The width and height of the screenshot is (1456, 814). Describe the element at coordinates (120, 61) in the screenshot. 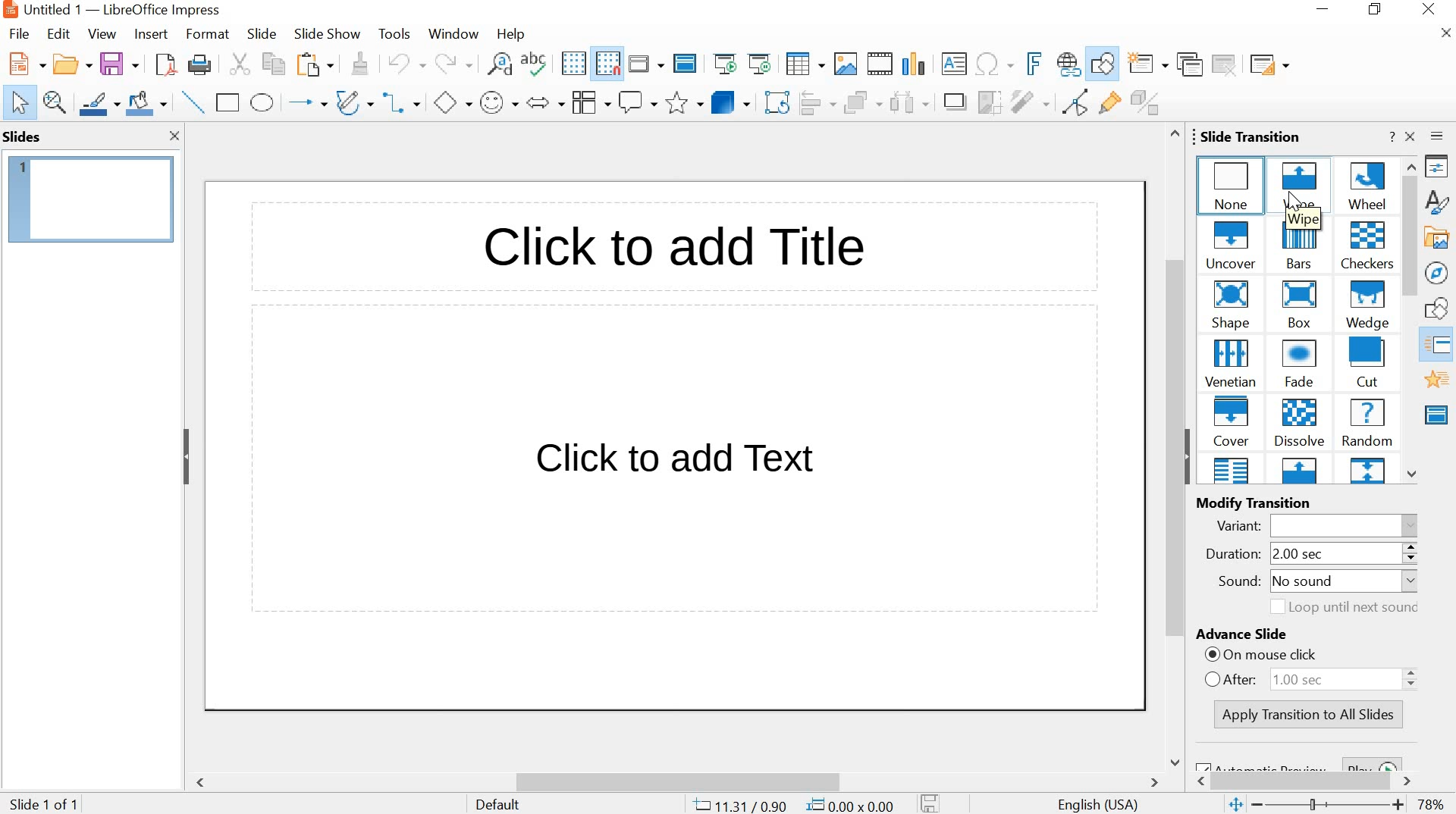

I see `SAVE` at that location.